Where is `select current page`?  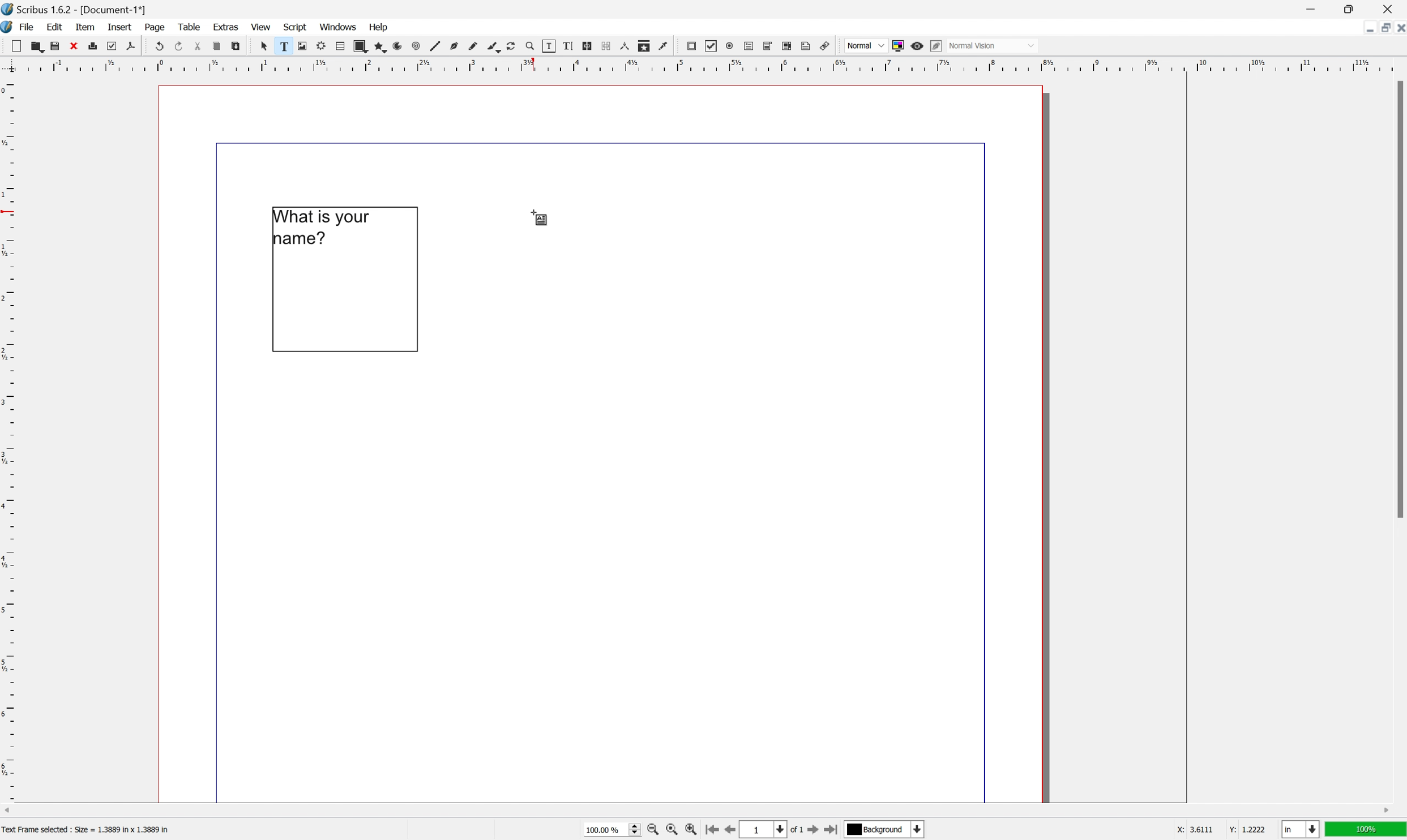
select current page is located at coordinates (774, 830).